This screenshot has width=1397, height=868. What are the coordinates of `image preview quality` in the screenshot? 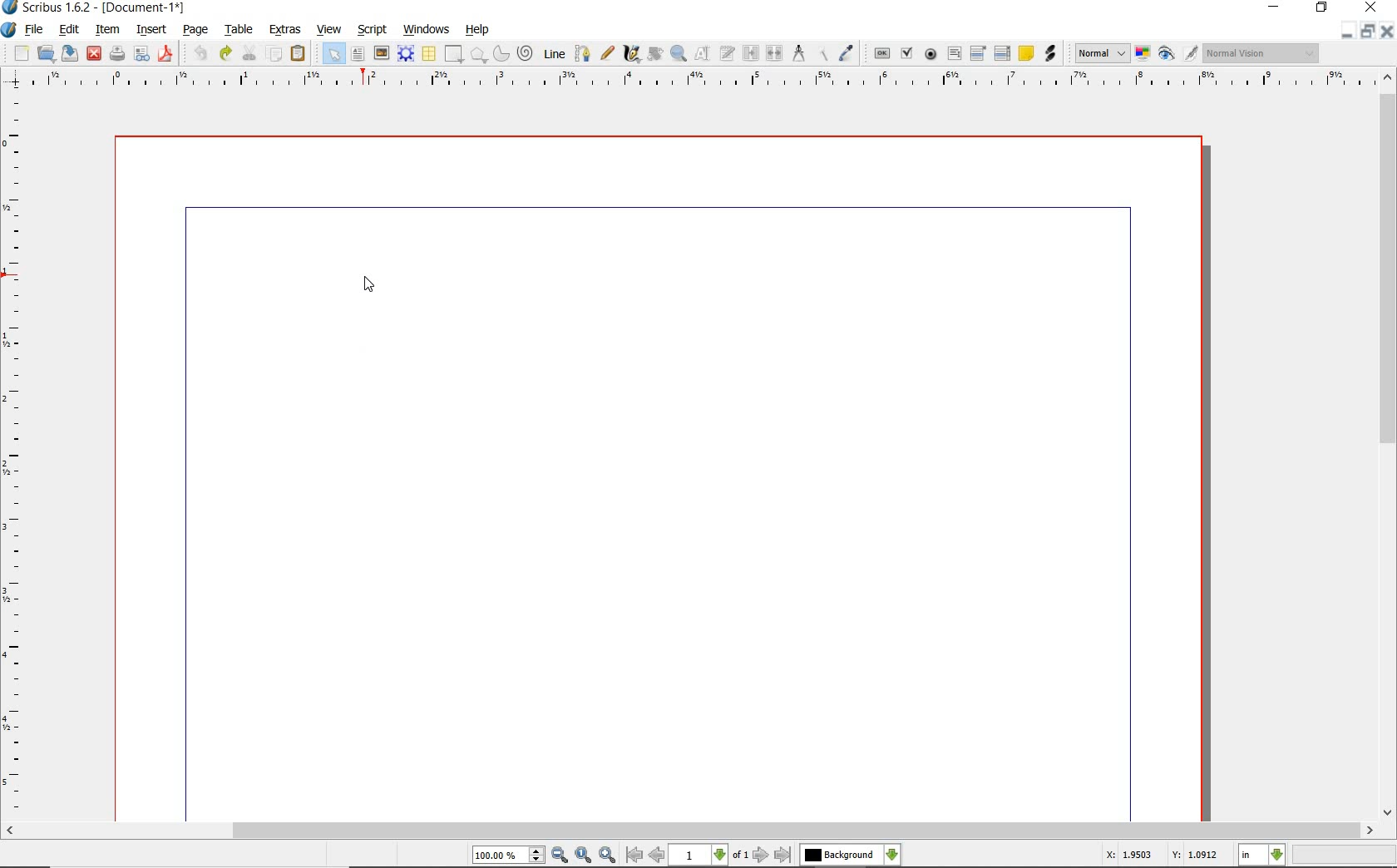 It's located at (1101, 52).